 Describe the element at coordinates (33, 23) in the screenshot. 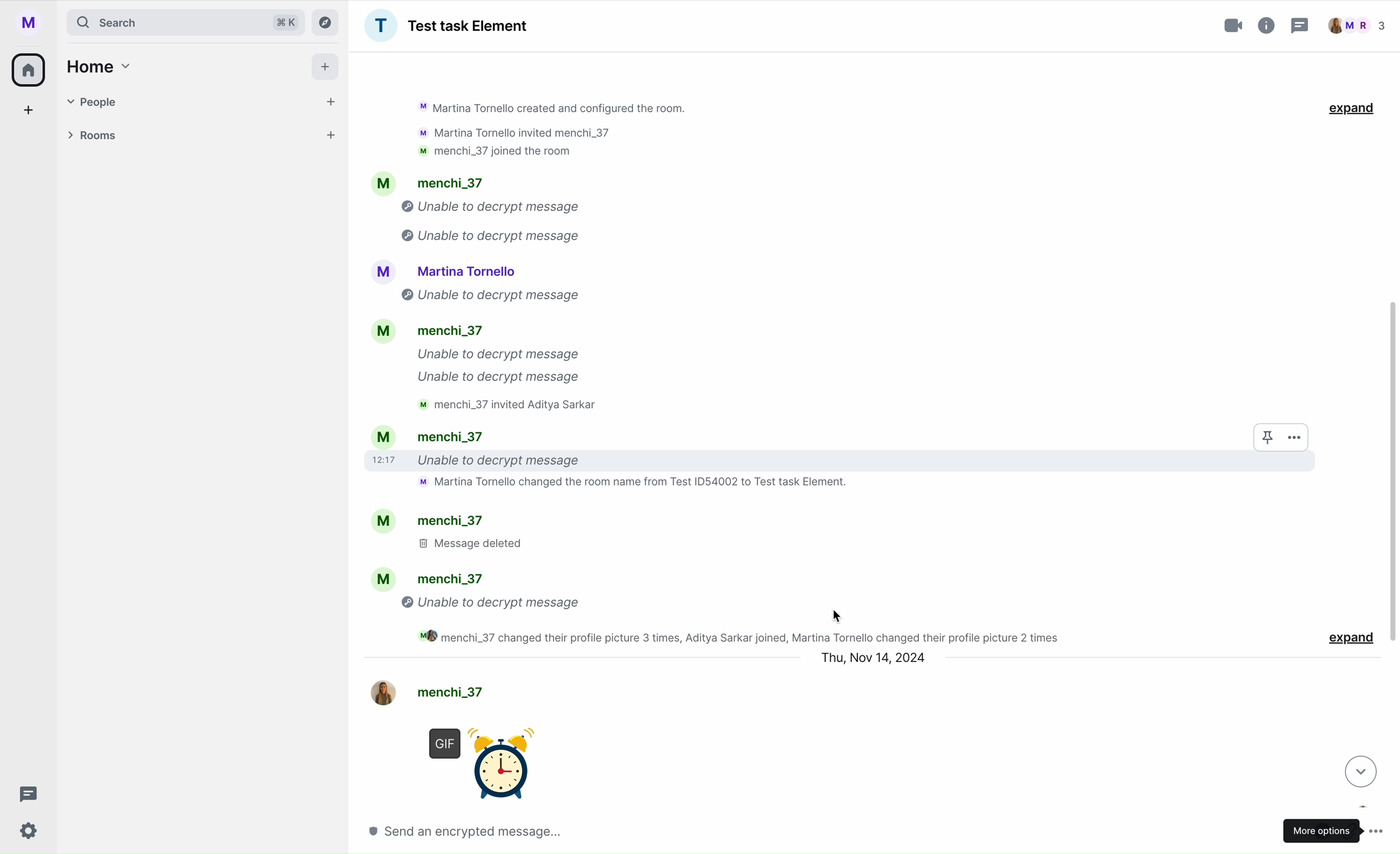

I see `profile picture` at that location.